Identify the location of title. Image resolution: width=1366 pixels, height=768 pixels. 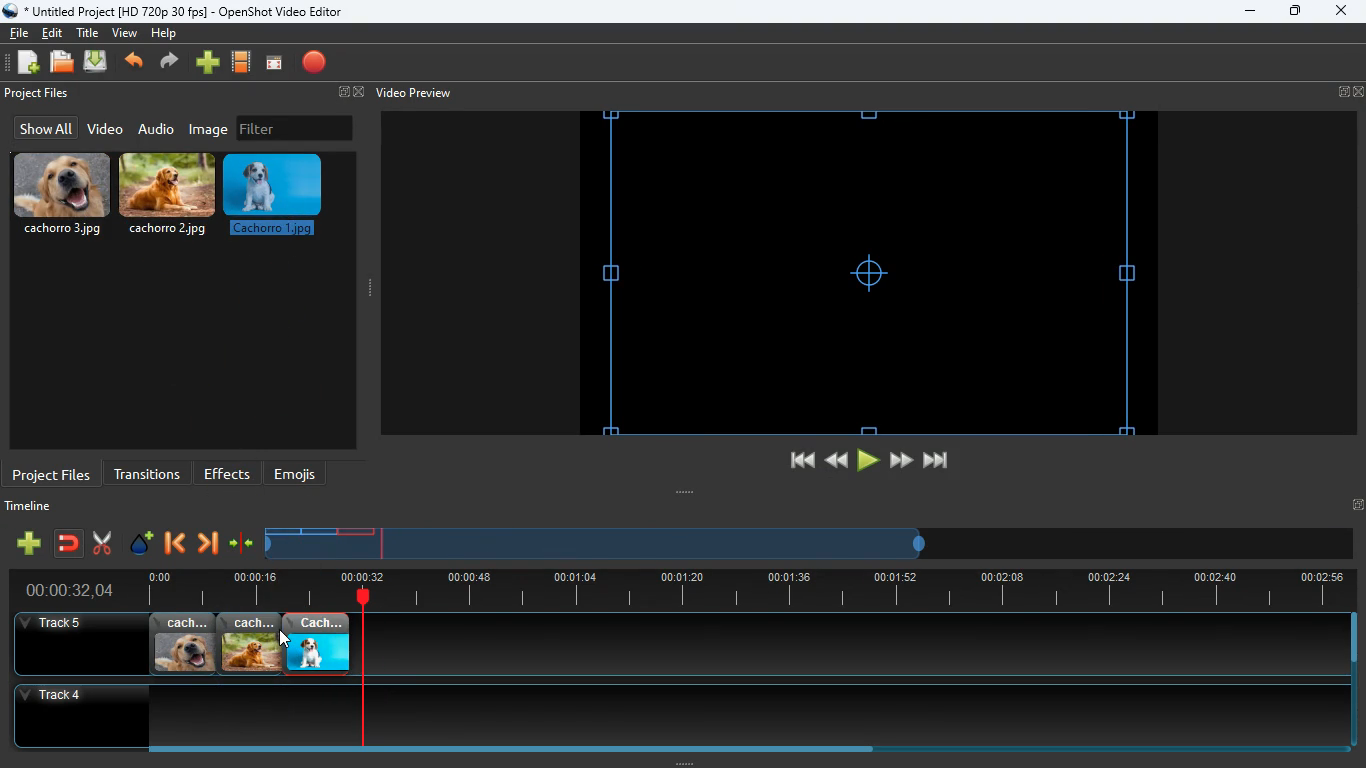
(90, 32).